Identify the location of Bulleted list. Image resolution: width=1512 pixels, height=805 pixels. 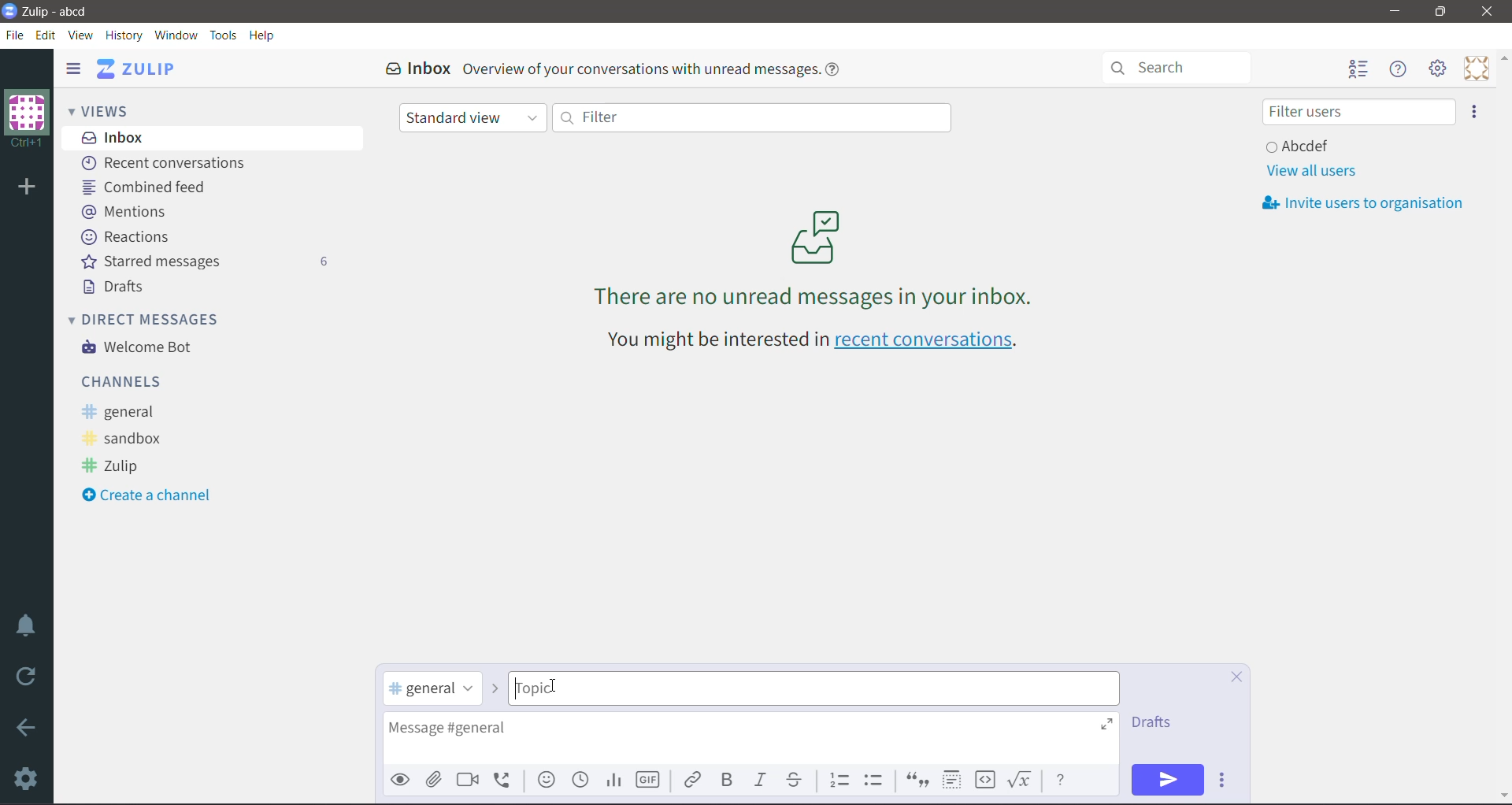
(877, 780).